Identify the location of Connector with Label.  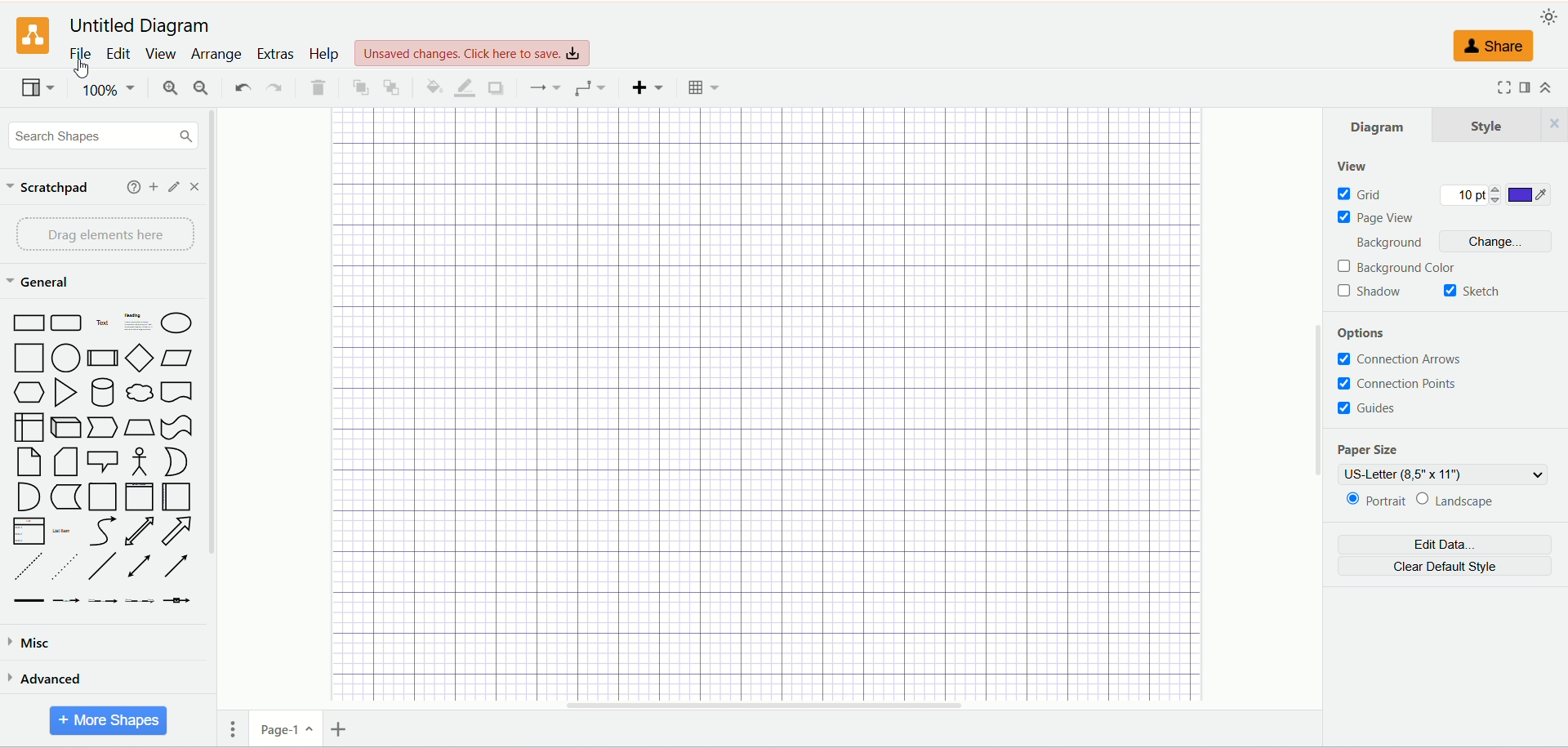
(67, 602).